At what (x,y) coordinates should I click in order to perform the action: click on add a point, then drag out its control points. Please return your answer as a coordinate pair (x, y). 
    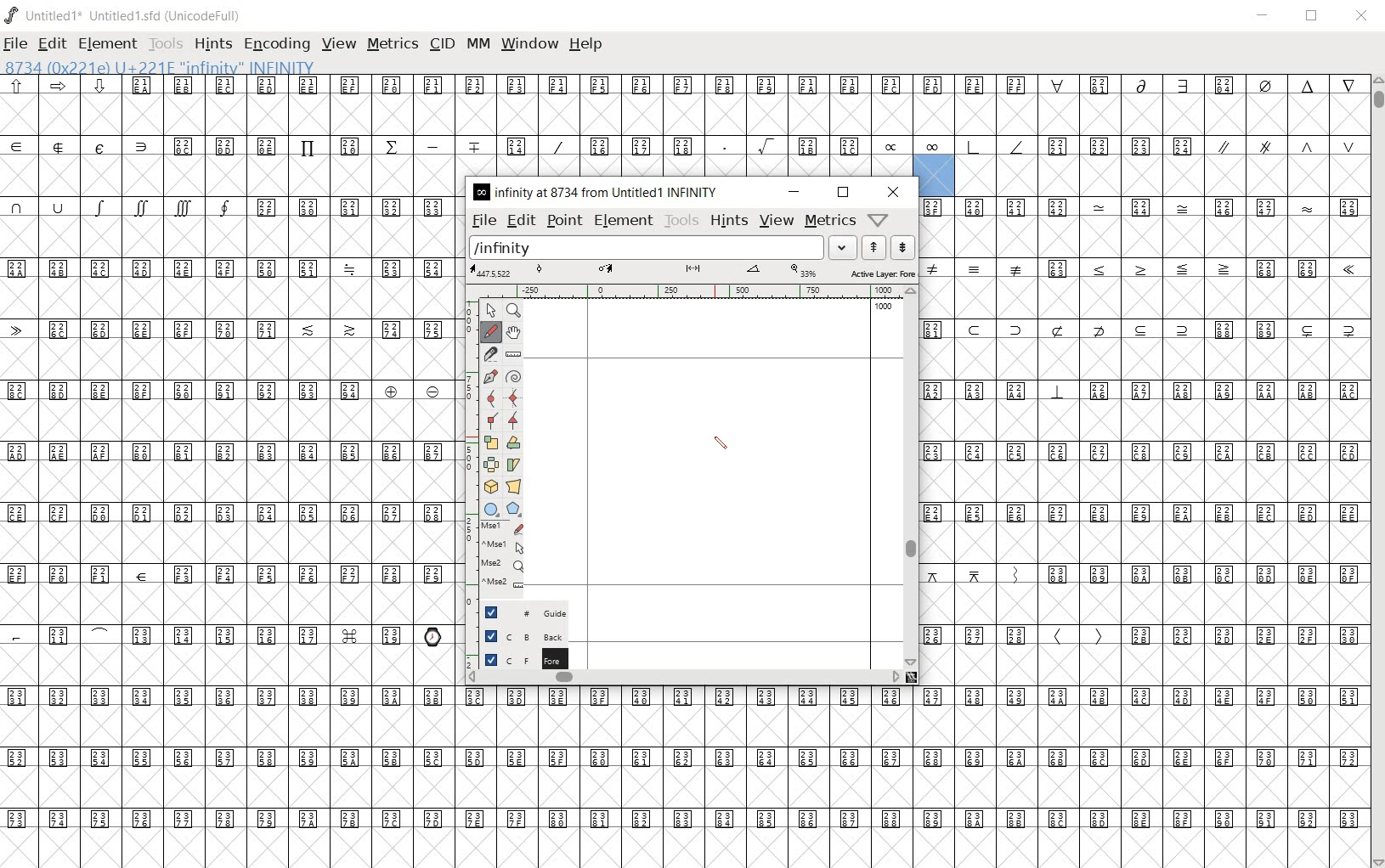
    Looking at the image, I should click on (490, 376).